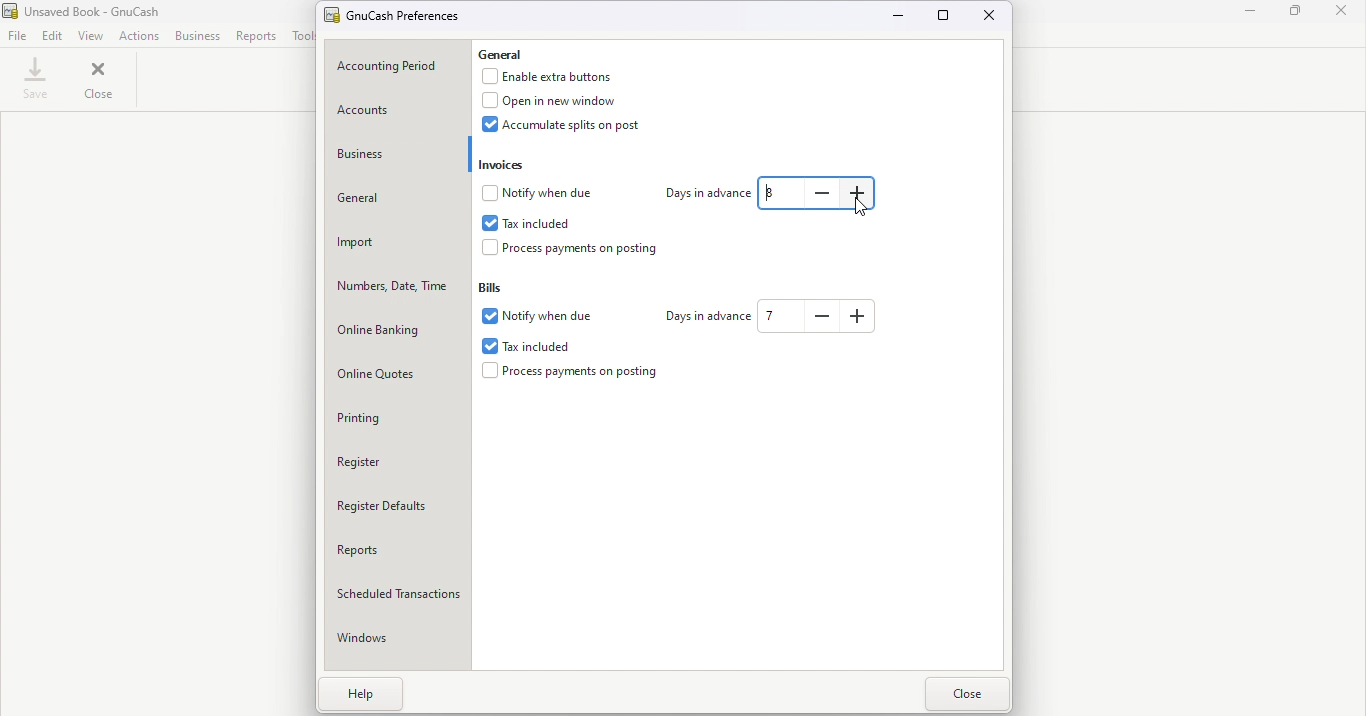 This screenshot has width=1366, height=716. I want to click on Close, so click(98, 83).